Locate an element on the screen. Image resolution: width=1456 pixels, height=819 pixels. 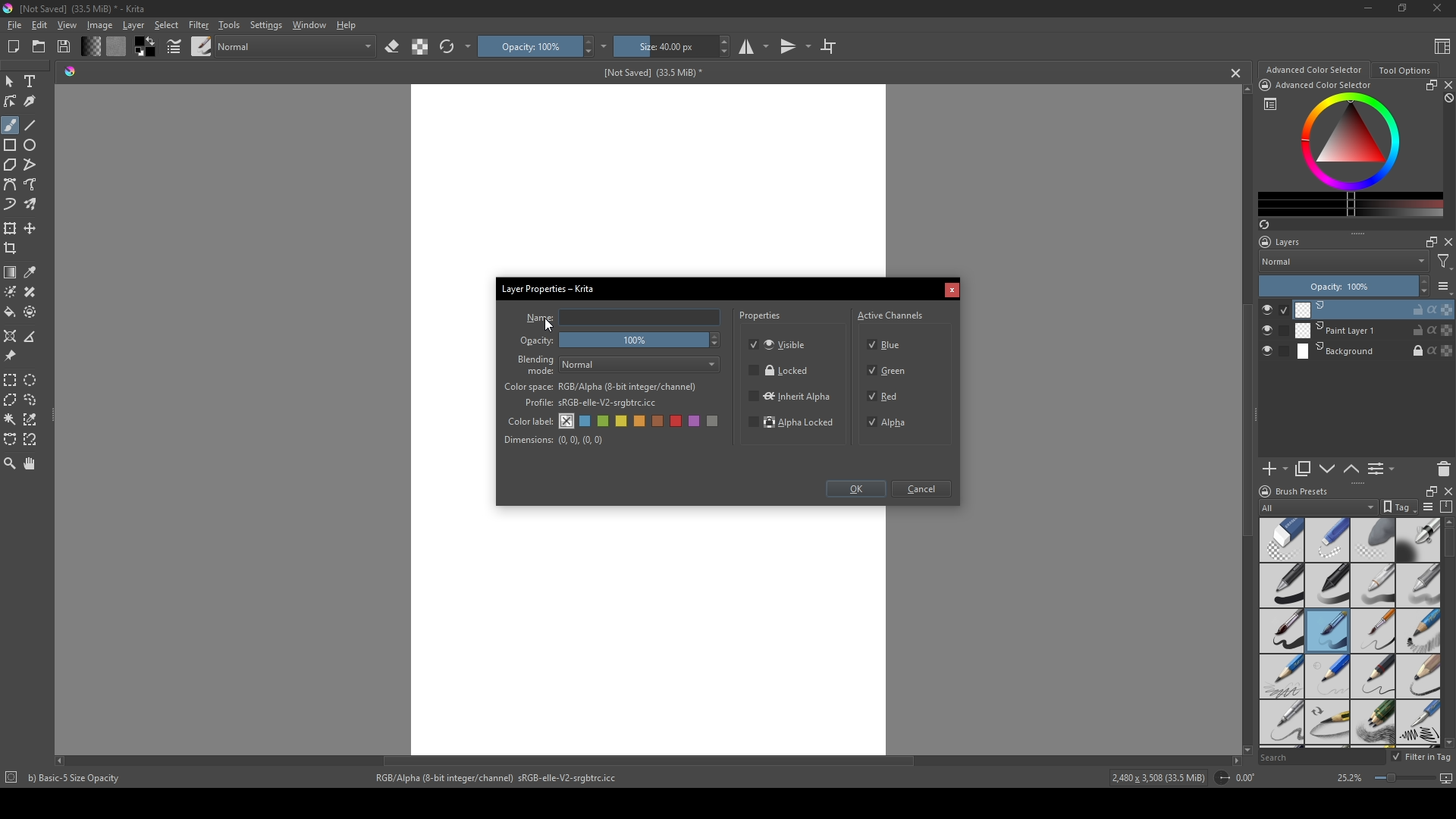
Normal is located at coordinates (641, 365).